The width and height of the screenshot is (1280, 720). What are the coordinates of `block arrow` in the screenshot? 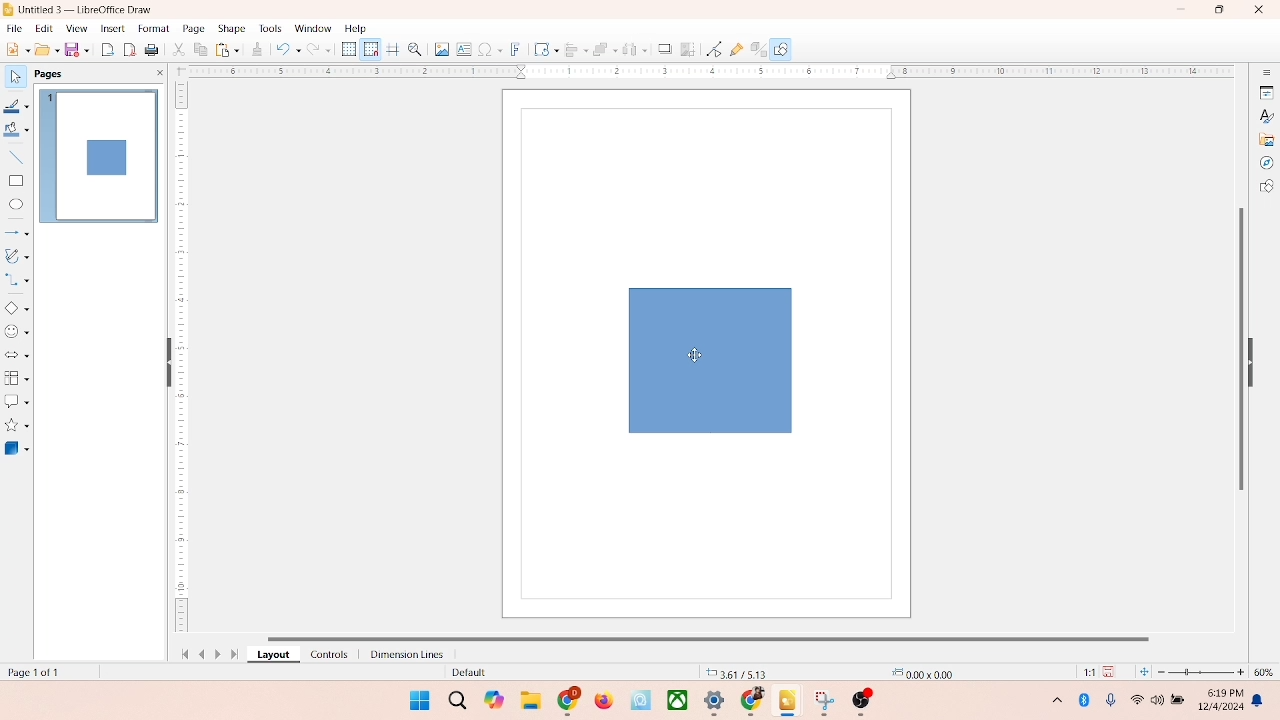 It's located at (17, 356).